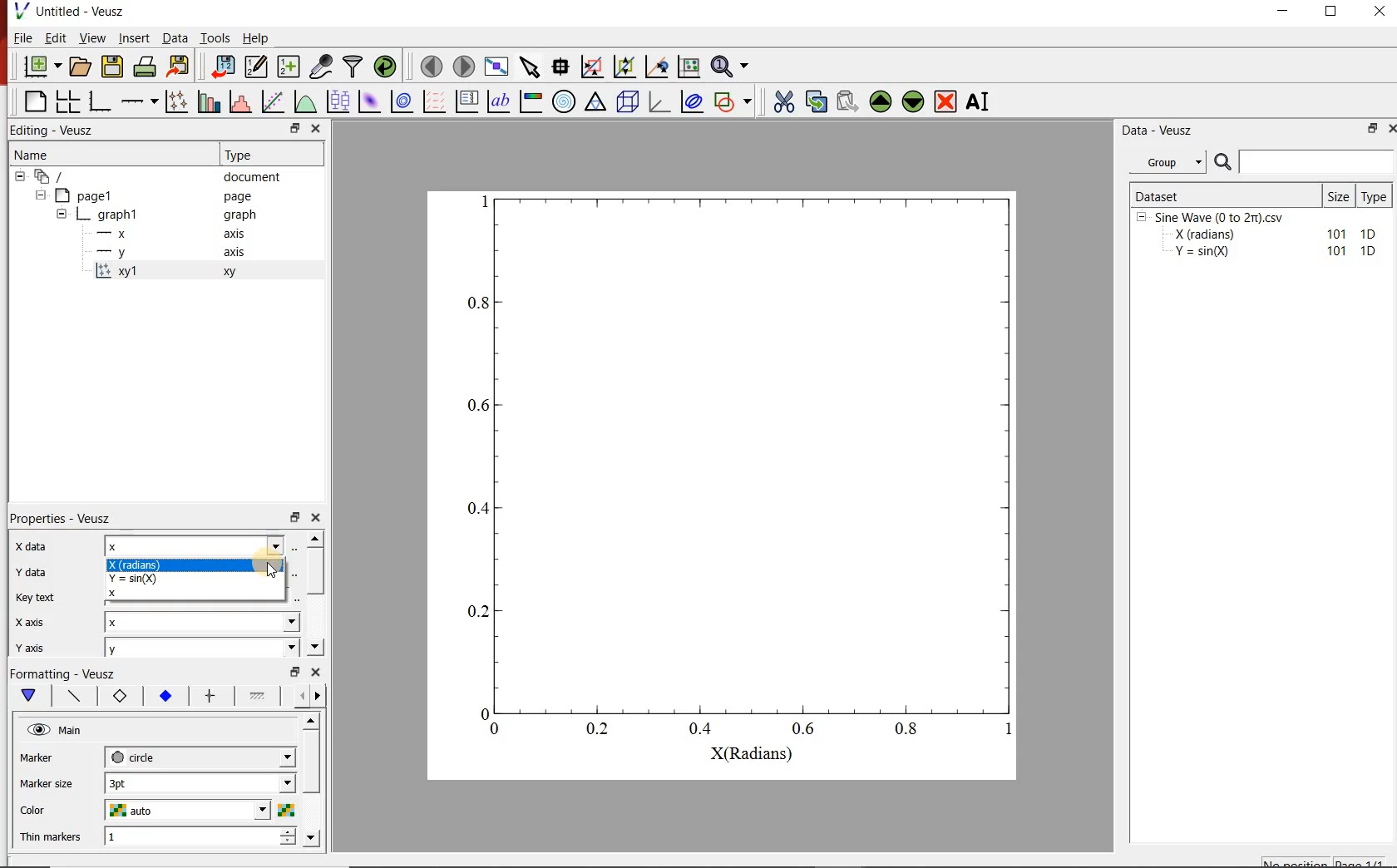 The height and width of the screenshot is (868, 1397). I want to click on Marker size, so click(47, 756).